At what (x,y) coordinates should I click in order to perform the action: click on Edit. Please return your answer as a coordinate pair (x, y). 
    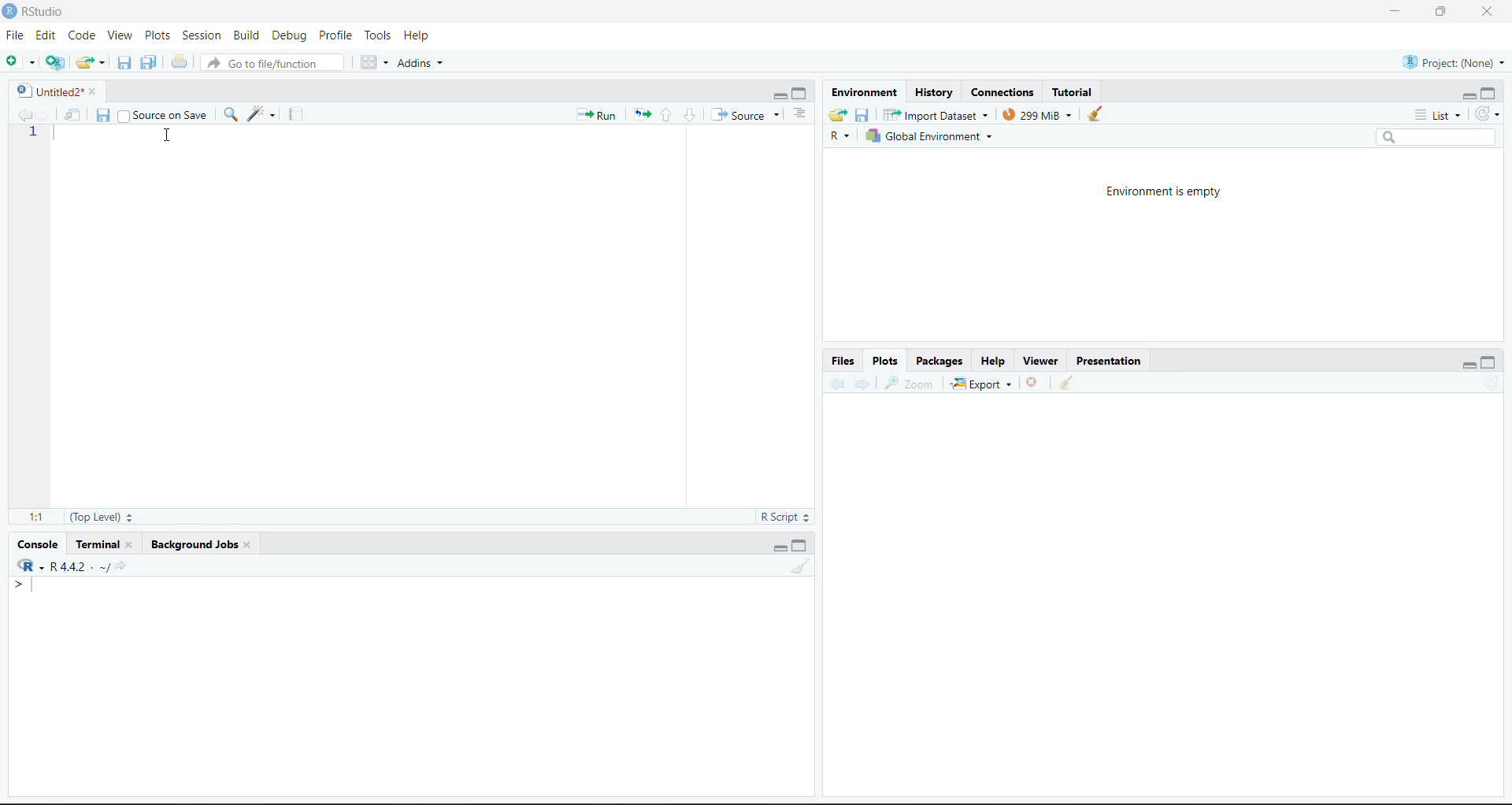
    Looking at the image, I should click on (46, 35).